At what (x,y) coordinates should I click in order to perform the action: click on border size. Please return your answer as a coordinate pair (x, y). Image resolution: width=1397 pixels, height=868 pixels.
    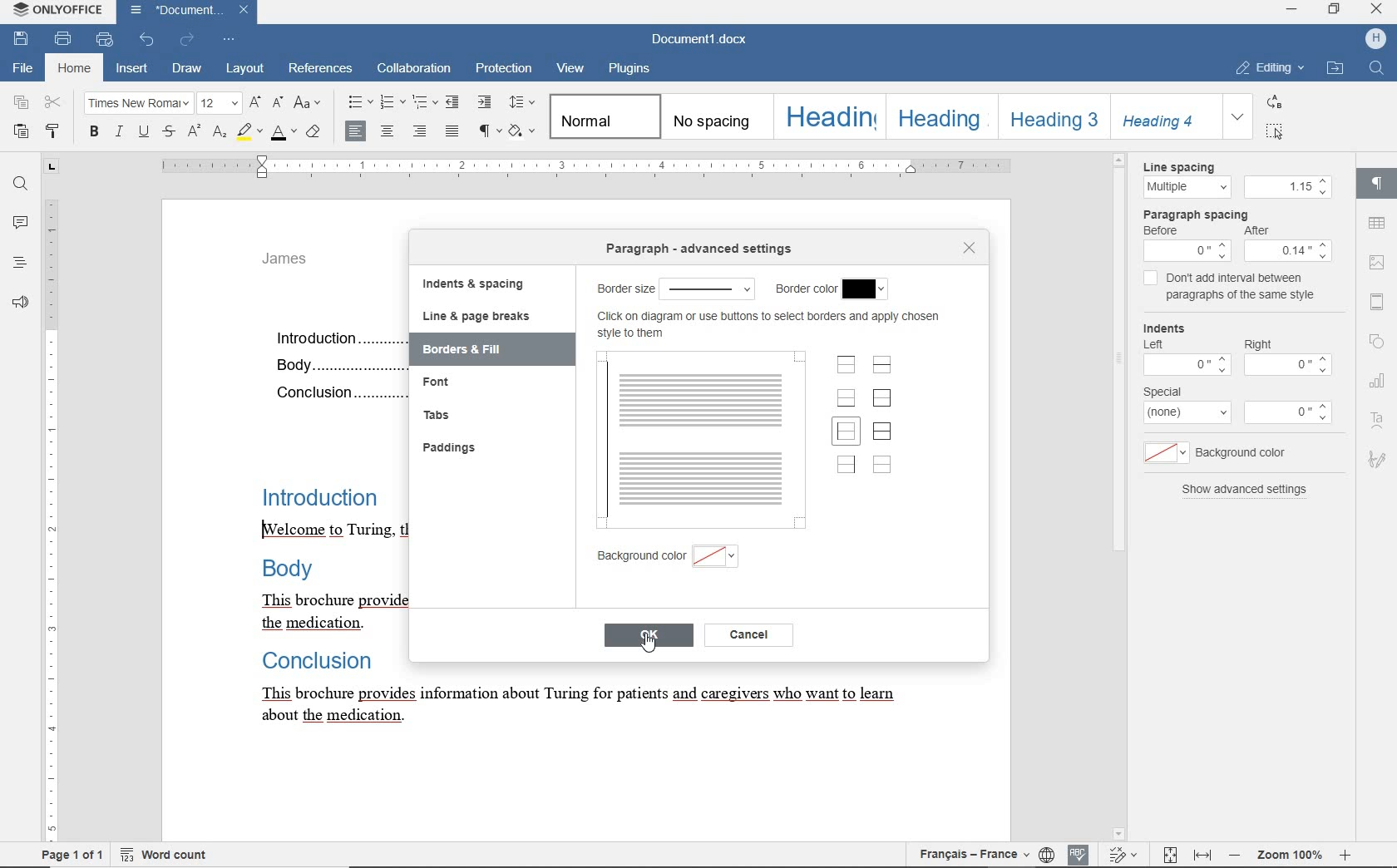
    Looking at the image, I should click on (622, 289).